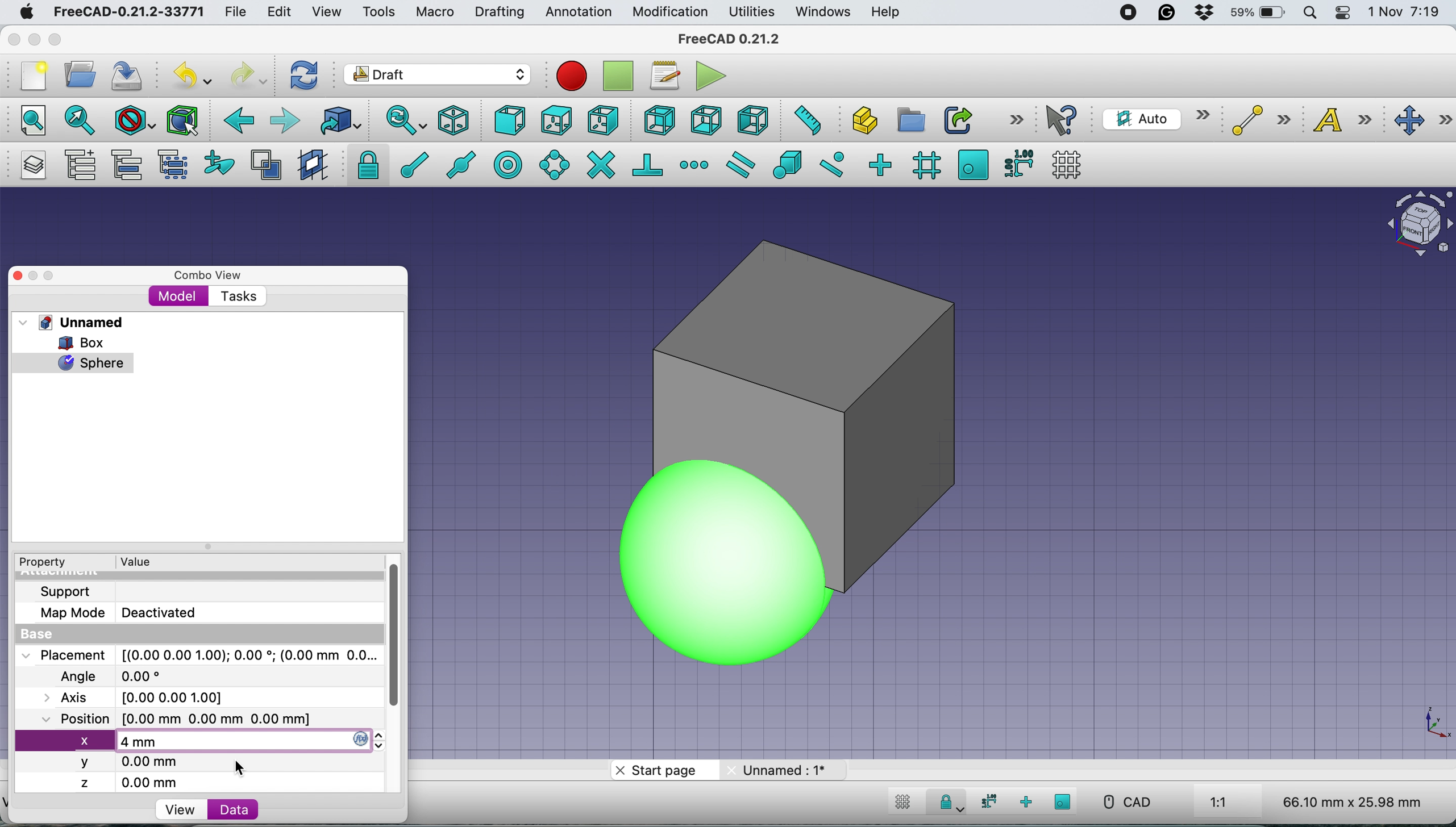  What do you see at coordinates (458, 120) in the screenshot?
I see `isometric` at bounding box center [458, 120].